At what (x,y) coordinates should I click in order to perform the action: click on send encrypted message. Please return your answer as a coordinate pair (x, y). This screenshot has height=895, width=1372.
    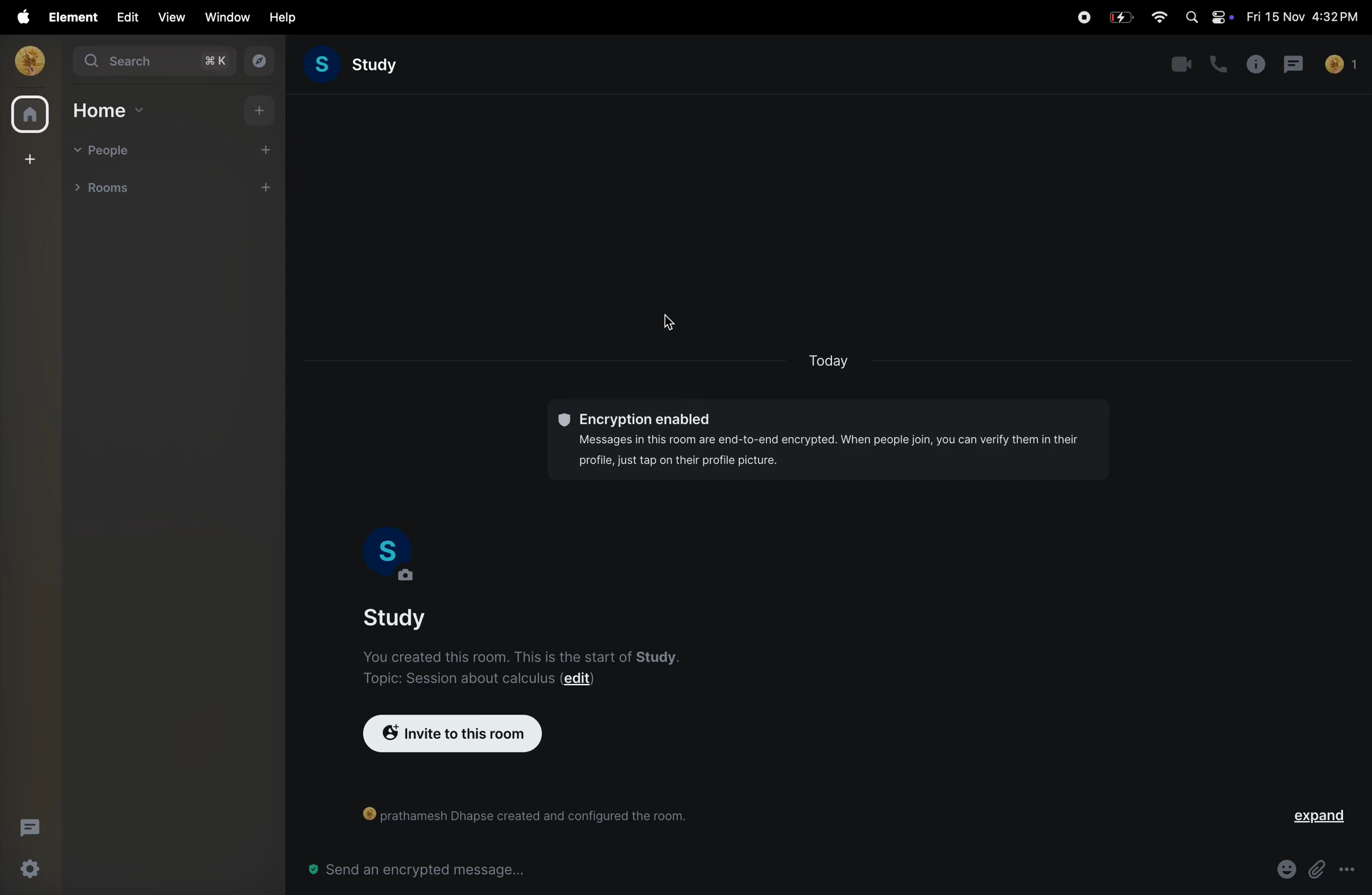
    Looking at the image, I should click on (413, 870).